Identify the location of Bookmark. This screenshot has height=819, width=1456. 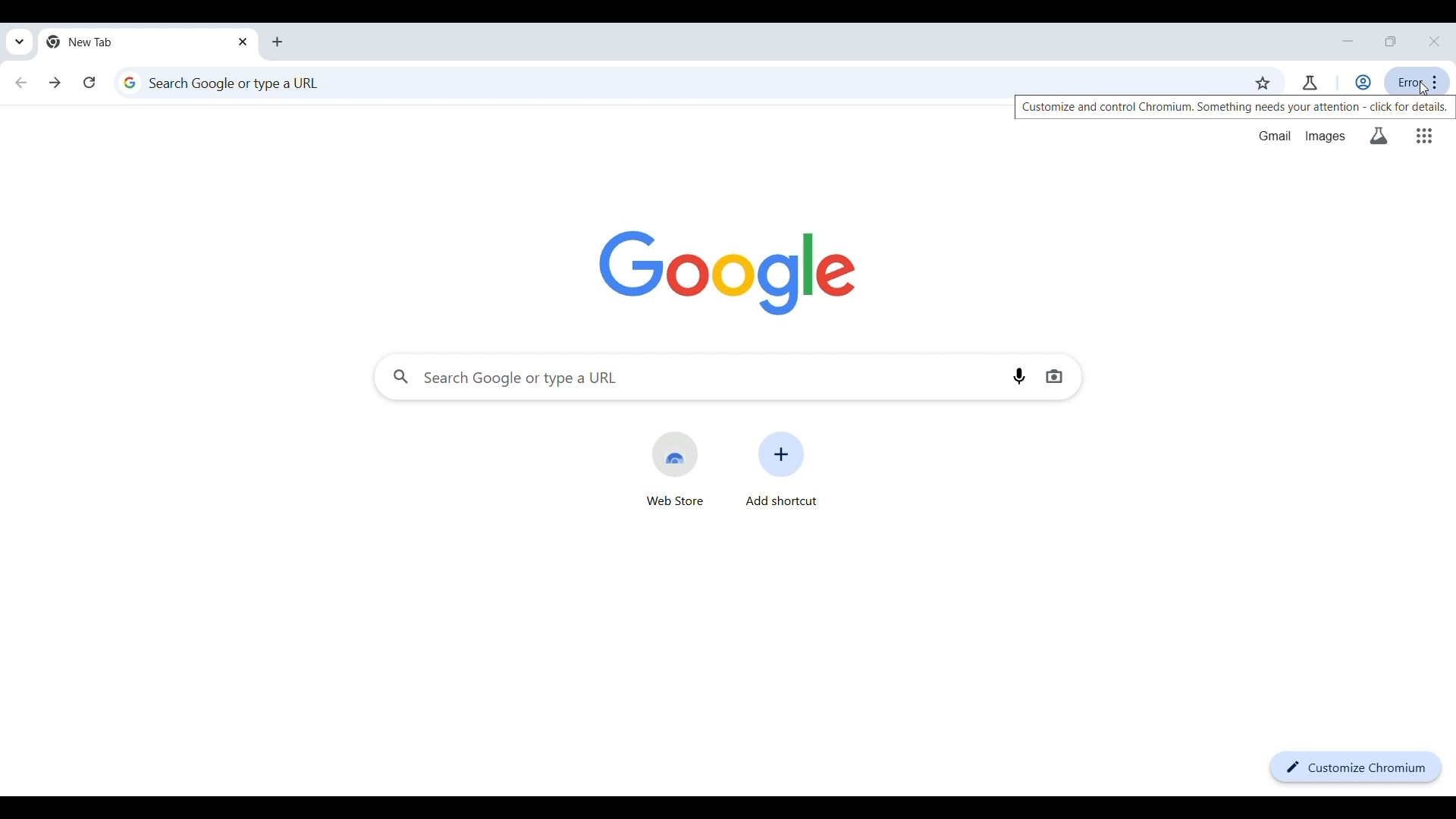
(1263, 83).